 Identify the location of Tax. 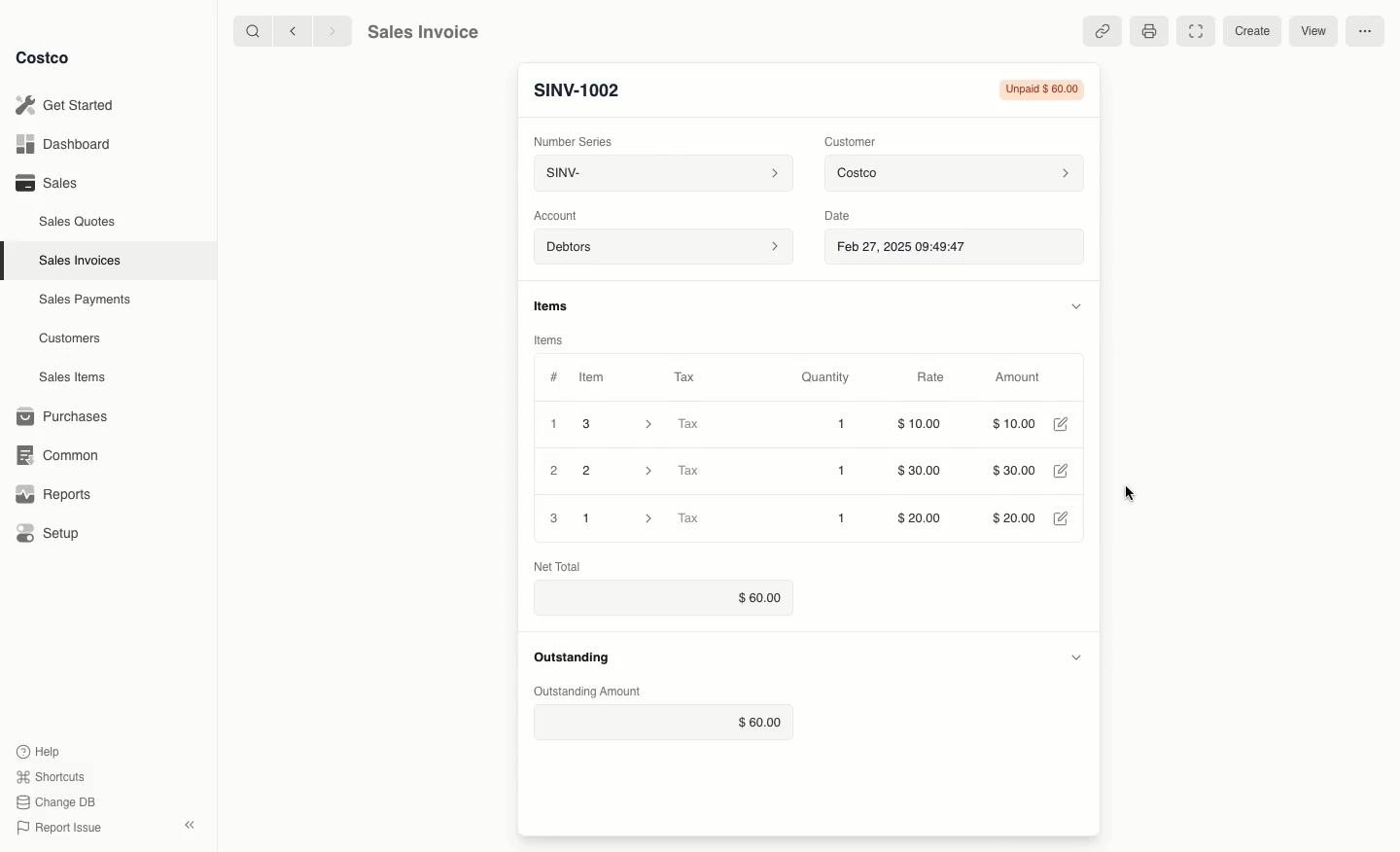
(712, 471).